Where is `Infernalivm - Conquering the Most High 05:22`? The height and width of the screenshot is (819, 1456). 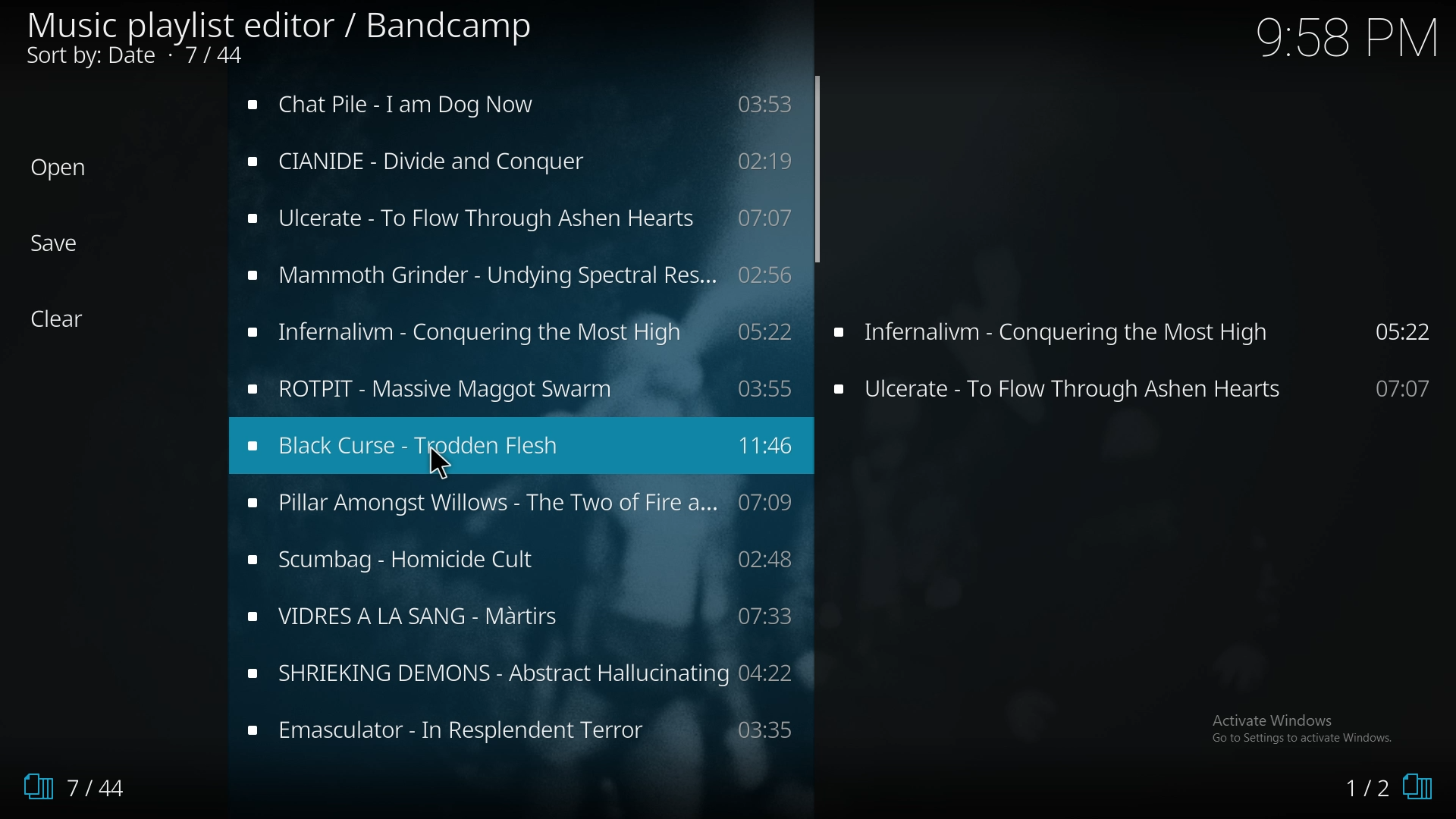 Infernalivm - Conquering the Most High 05:22 is located at coordinates (1137, 334).